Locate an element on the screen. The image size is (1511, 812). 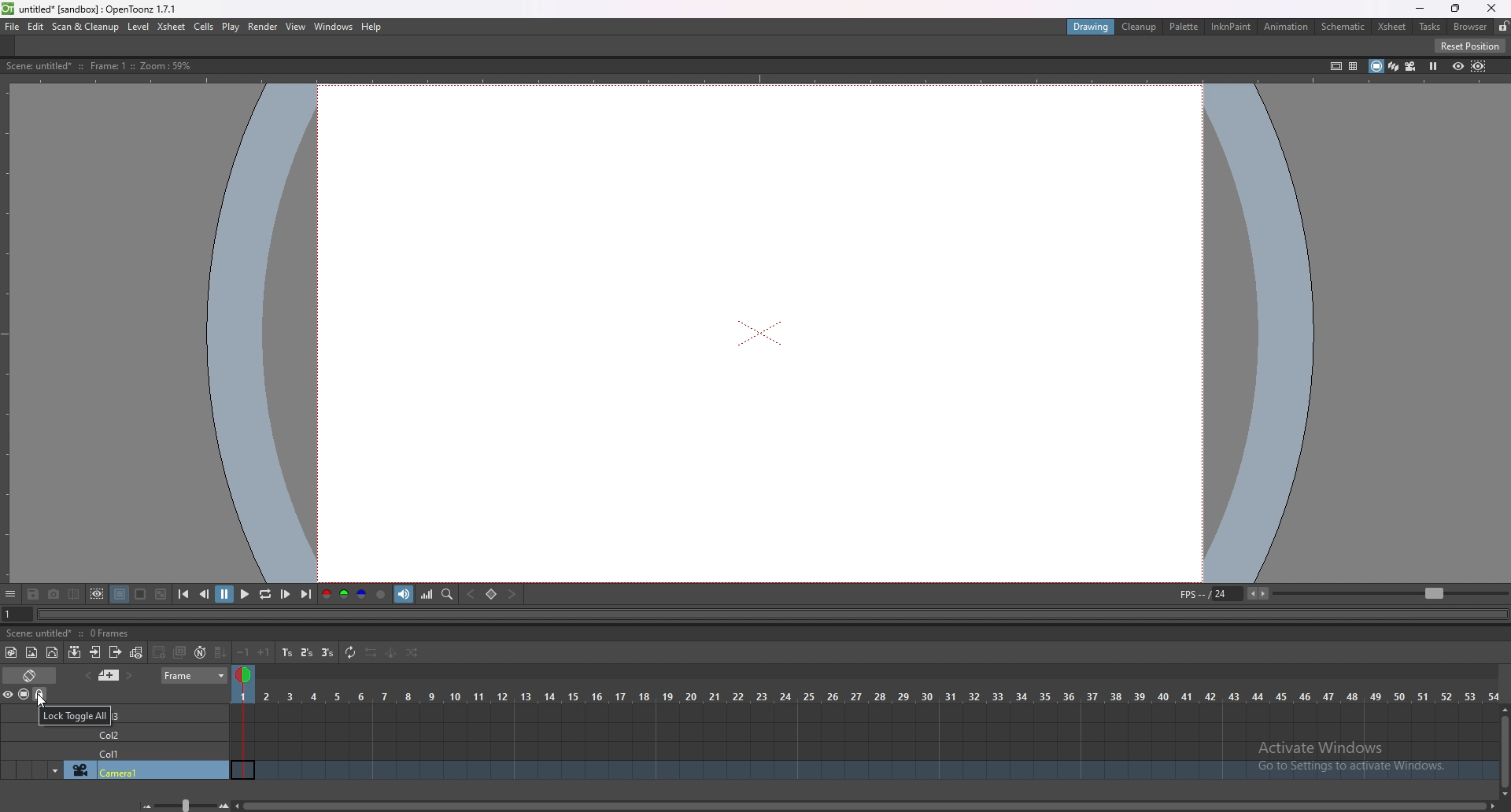
increase step is located at coordinates (264, 651).